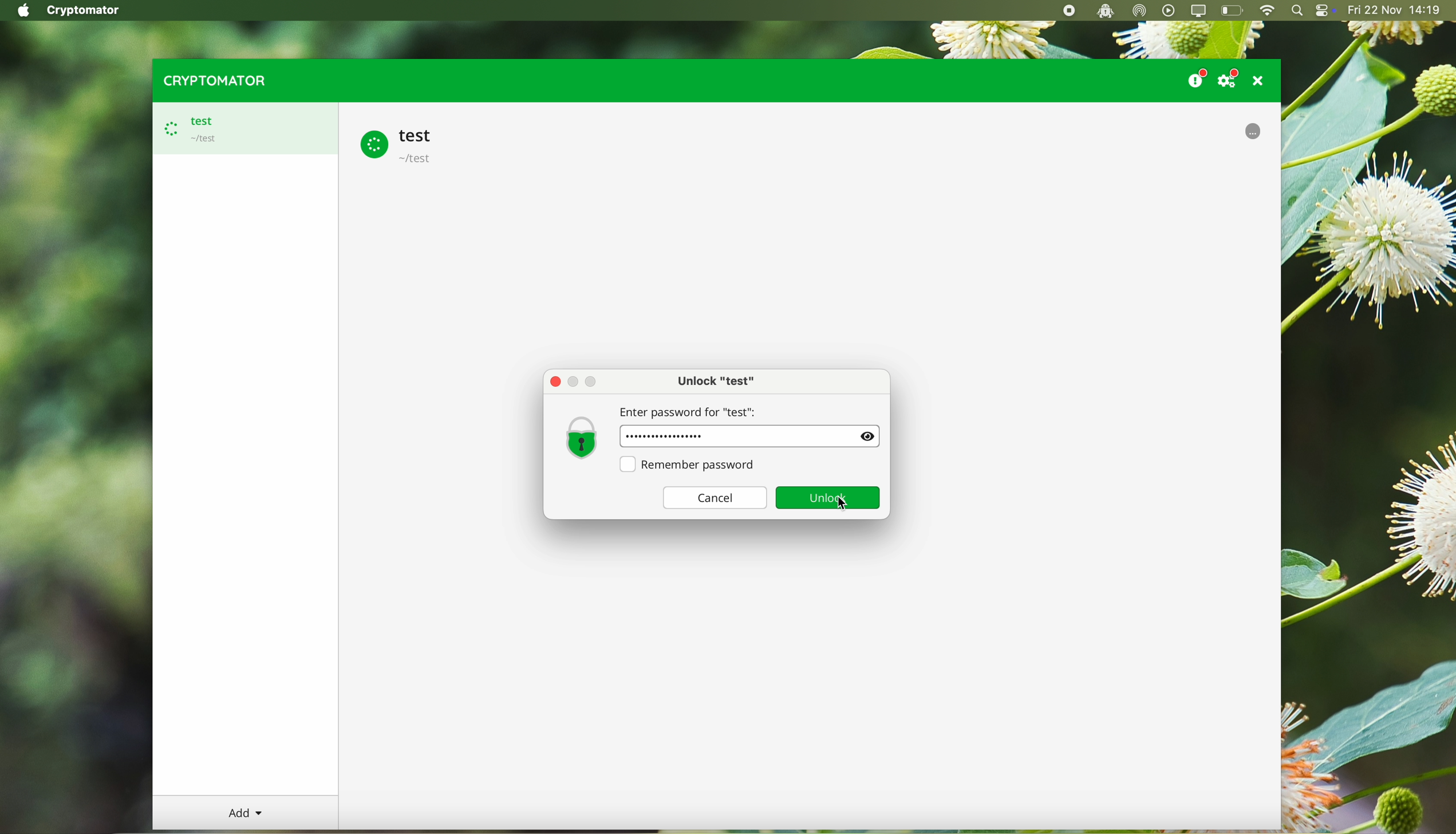  What do you see at coordinates (843, 503) in the screenshot?
I see `click on unlock button` at bounding box center [843, 503].